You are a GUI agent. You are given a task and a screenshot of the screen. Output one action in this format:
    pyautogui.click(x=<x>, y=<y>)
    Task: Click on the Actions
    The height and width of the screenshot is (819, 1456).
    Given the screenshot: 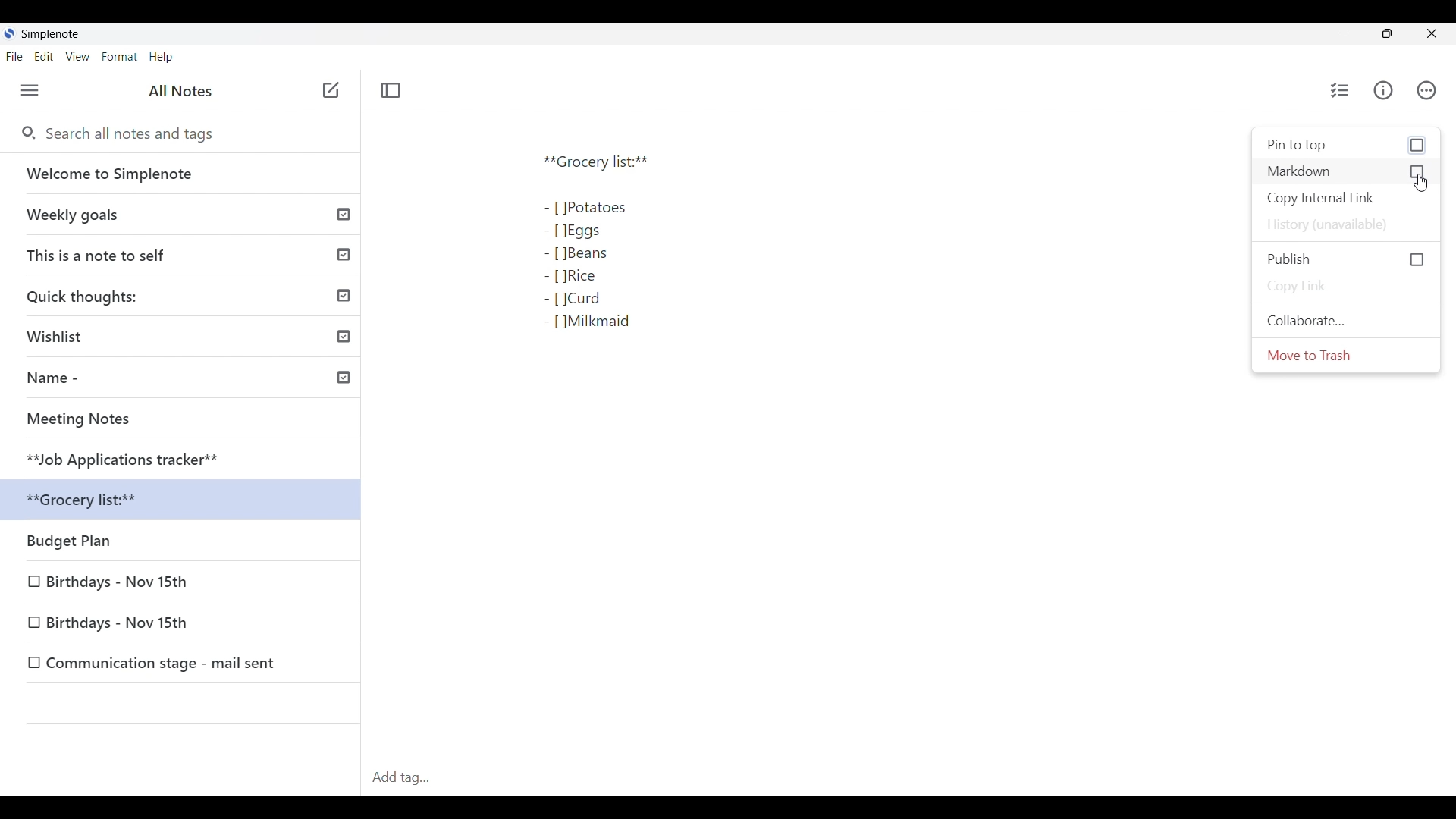 What is the action you would take?
    pyautogui.click(x=1426, y=90)
    